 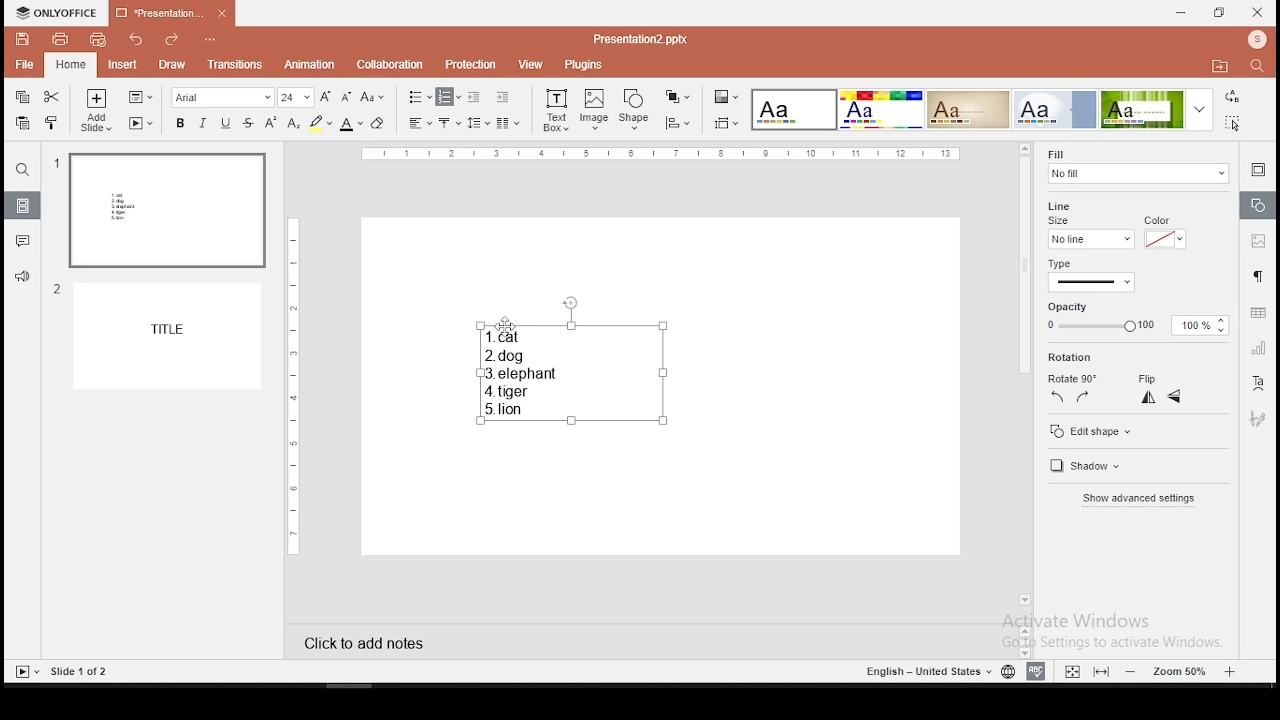 I want to click on comments, so click(x=20, y=242).